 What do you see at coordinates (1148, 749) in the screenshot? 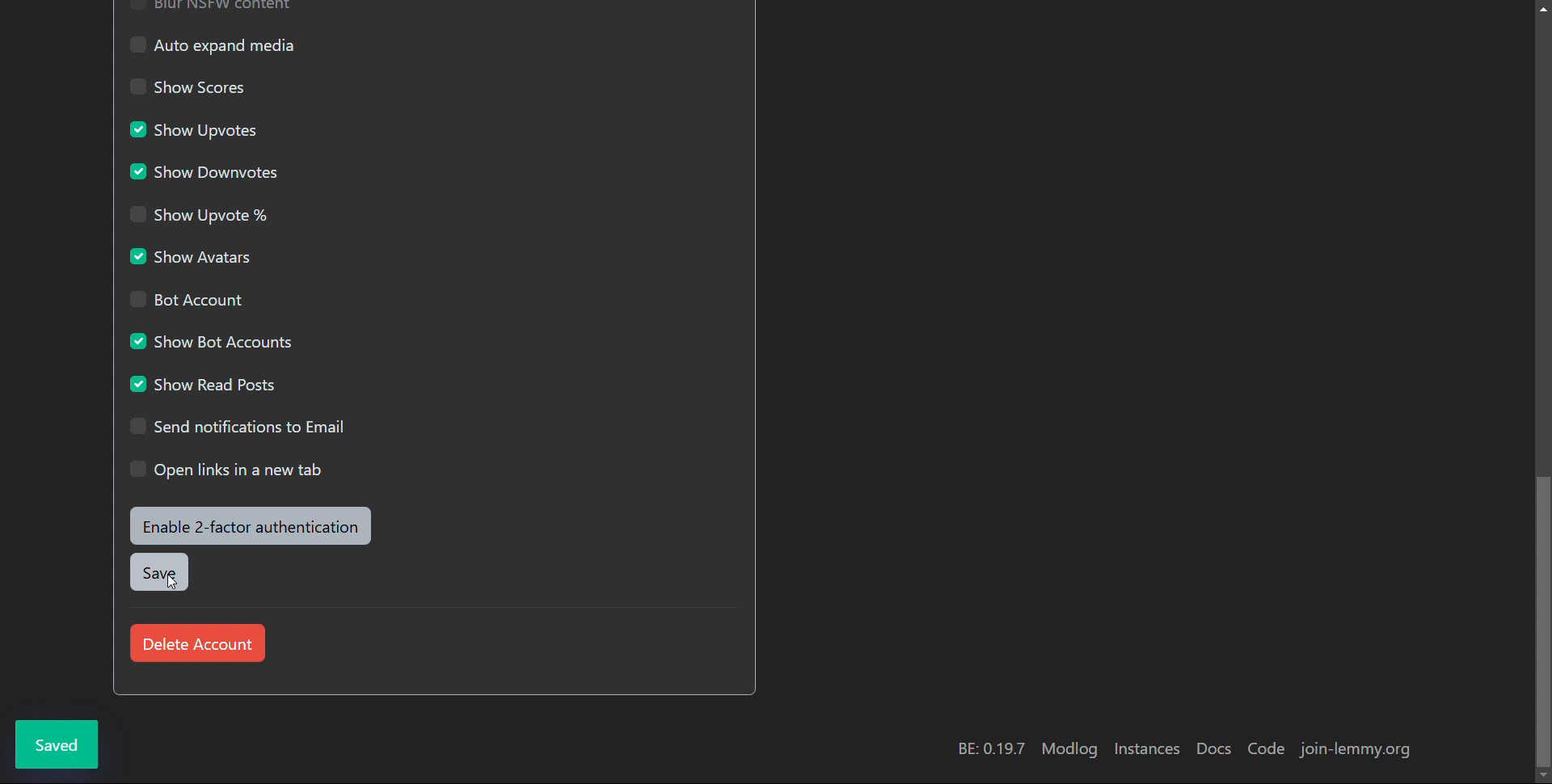
I see `instances` at bounding box center [1148, 749].